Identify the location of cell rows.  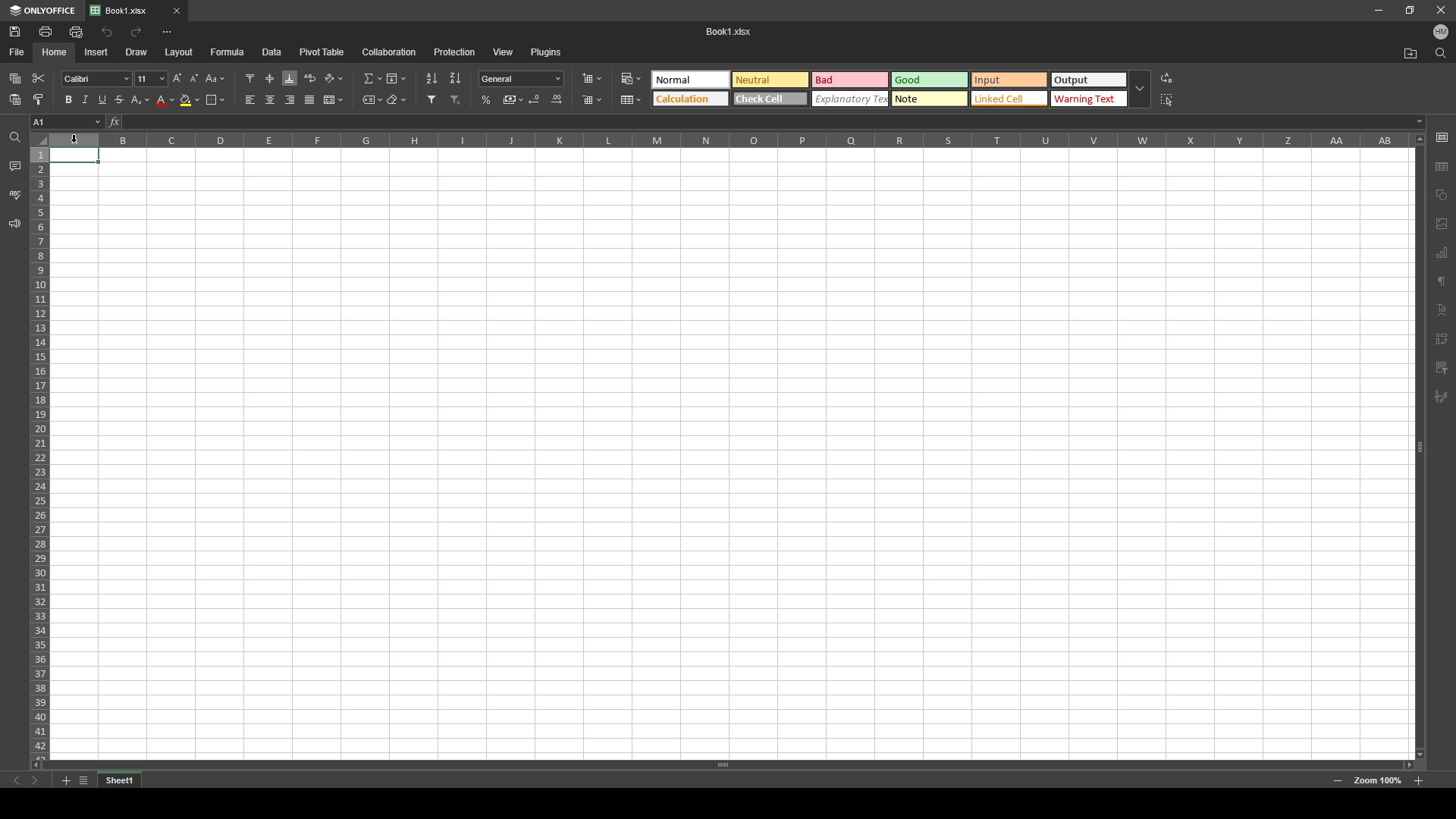
(39, 450).